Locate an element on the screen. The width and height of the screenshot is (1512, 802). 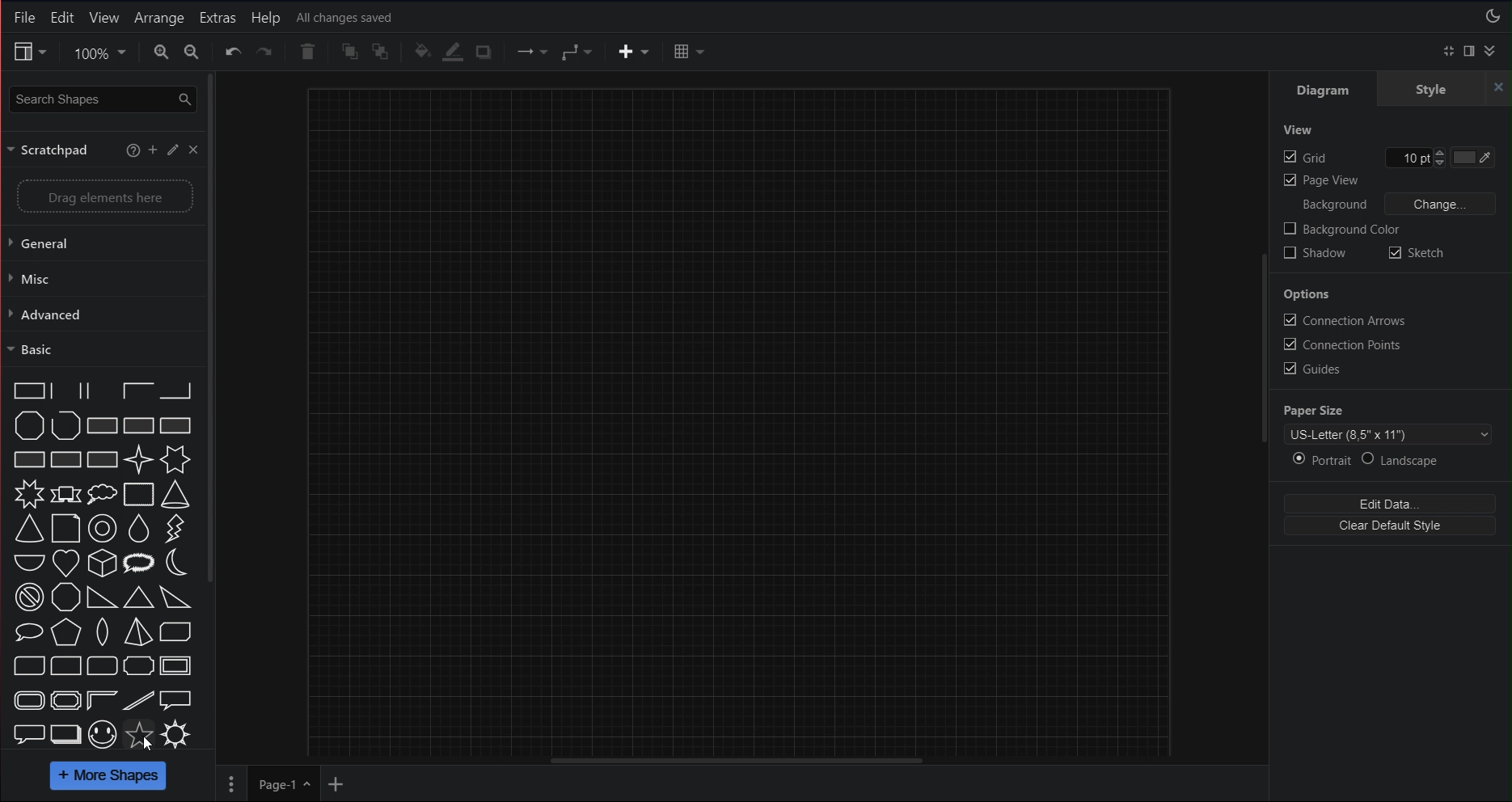
sun is located at coordinates (176, 734).